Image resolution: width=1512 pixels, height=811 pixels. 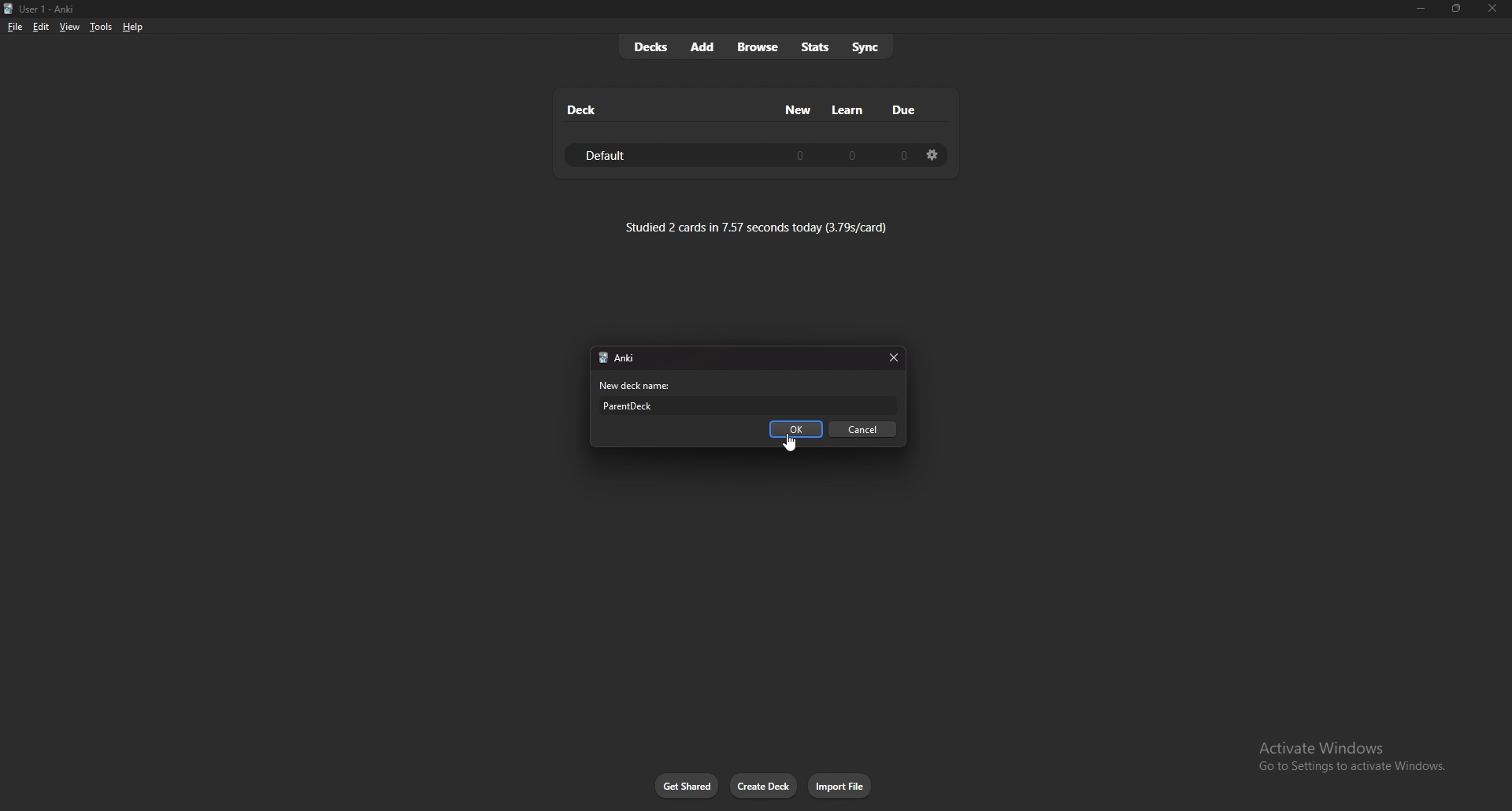 What do you see at coordinates (798, 430) in the screenshot?
I see `ok` at bounding box center [798, 430].